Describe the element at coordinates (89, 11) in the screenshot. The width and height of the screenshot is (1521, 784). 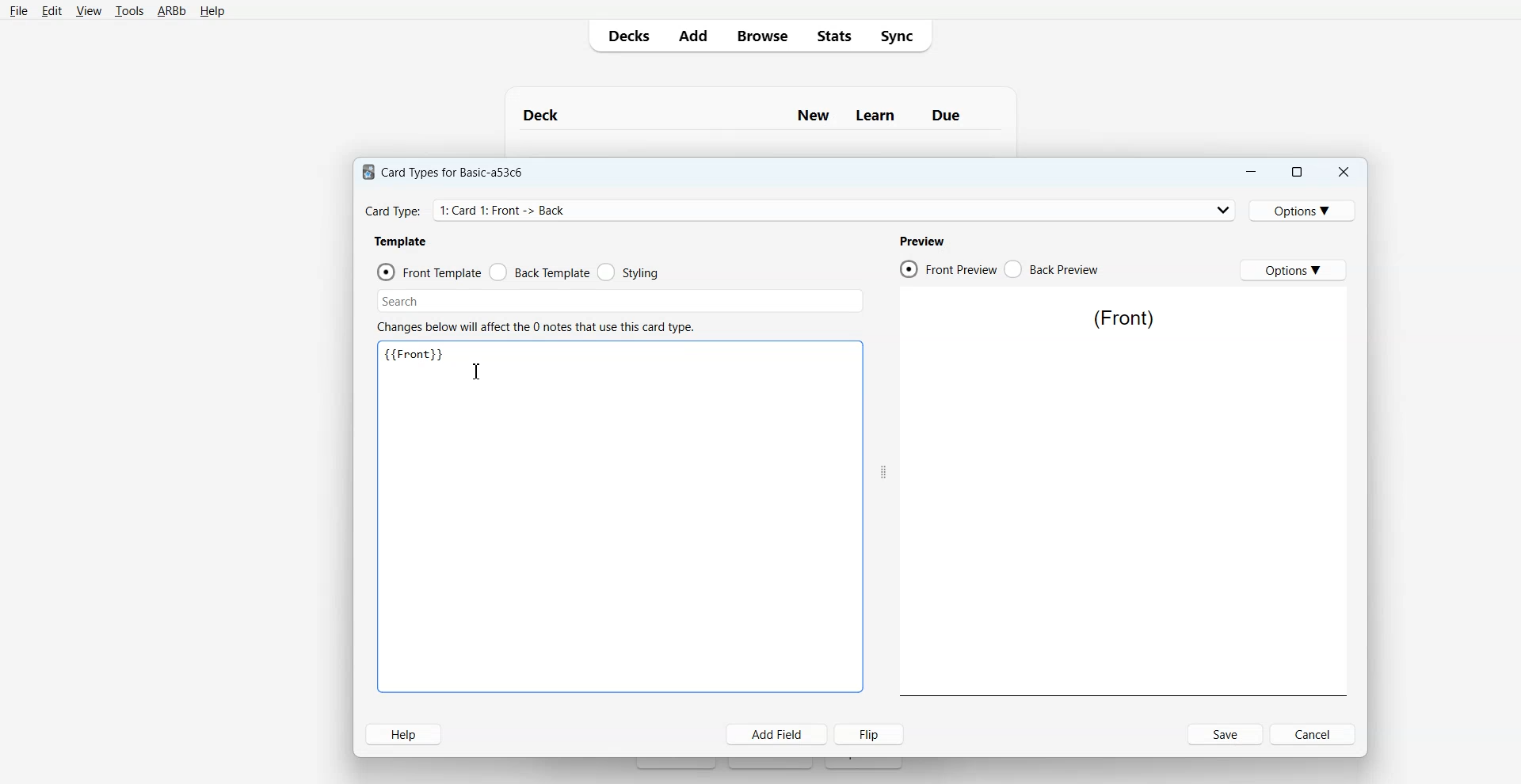
I see `View` at that location.